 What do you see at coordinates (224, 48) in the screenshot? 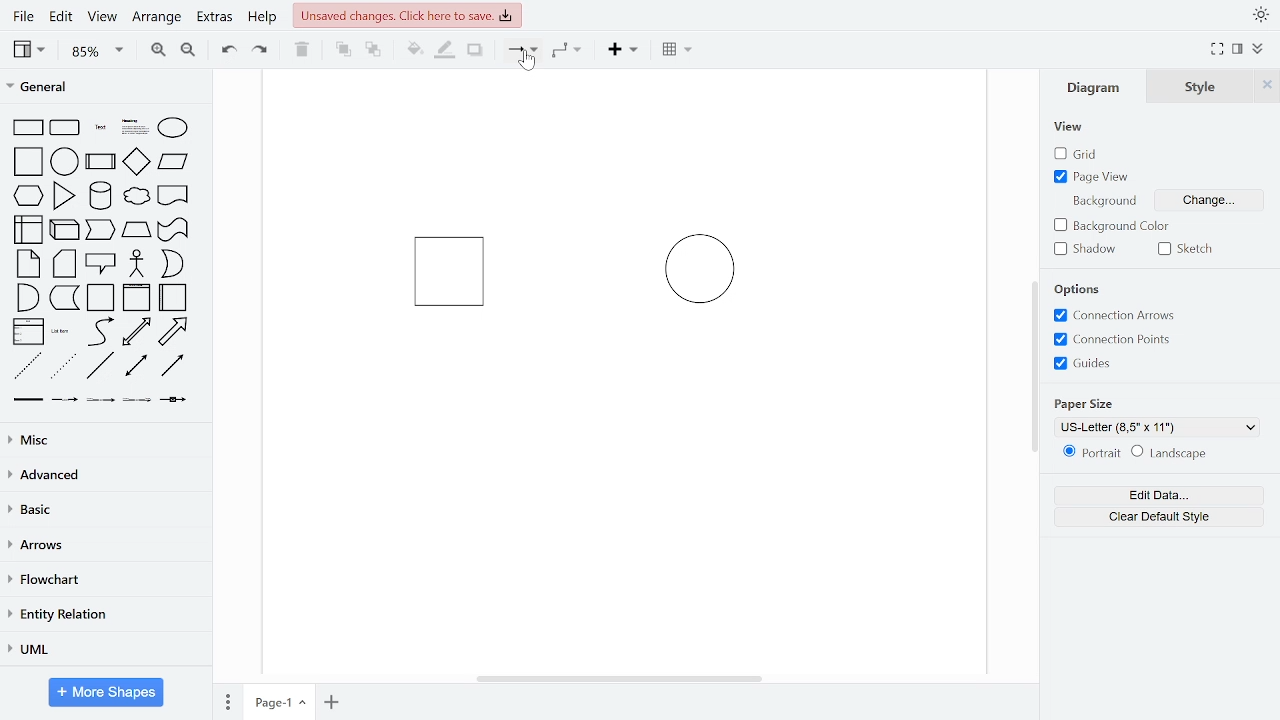
I see `undo` at bounding box center [224, 48].